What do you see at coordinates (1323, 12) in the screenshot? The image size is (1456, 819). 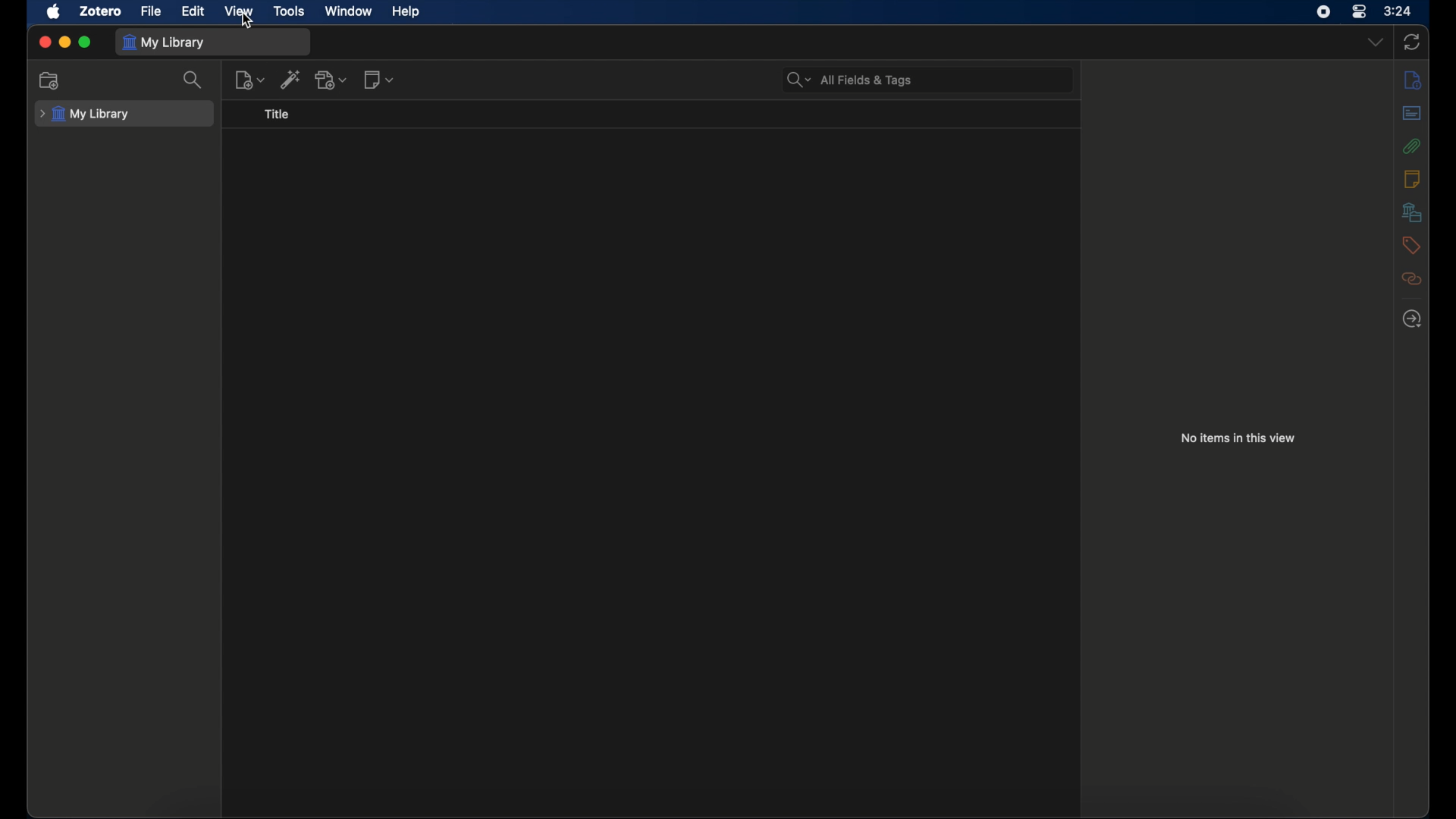 I see `screen recorder` at bounding box center [1323, 12].